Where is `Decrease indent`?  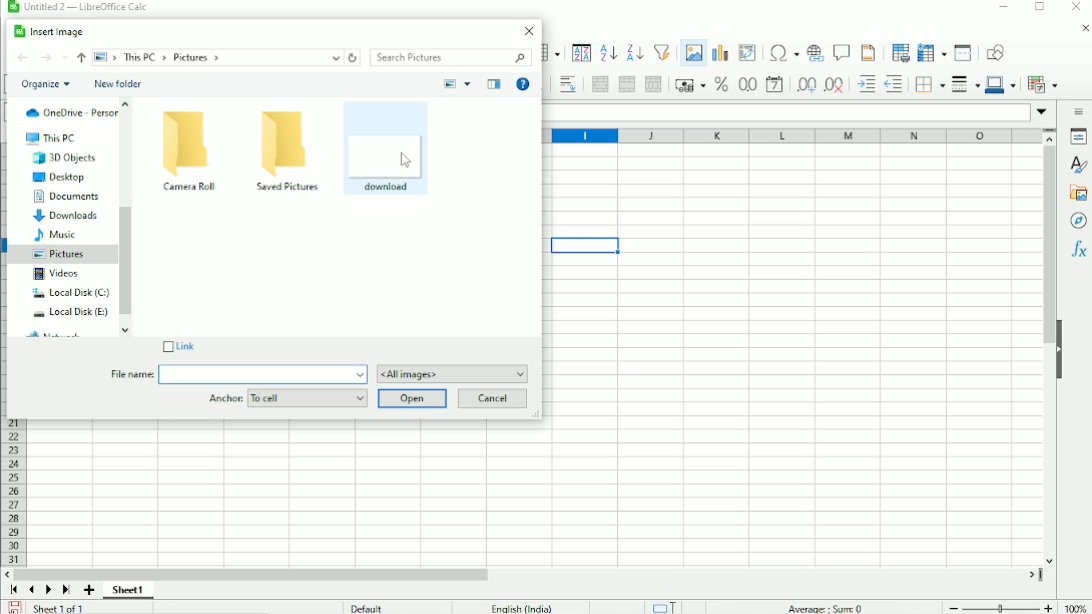
Decrease indent is located at coordinates (895, 86).